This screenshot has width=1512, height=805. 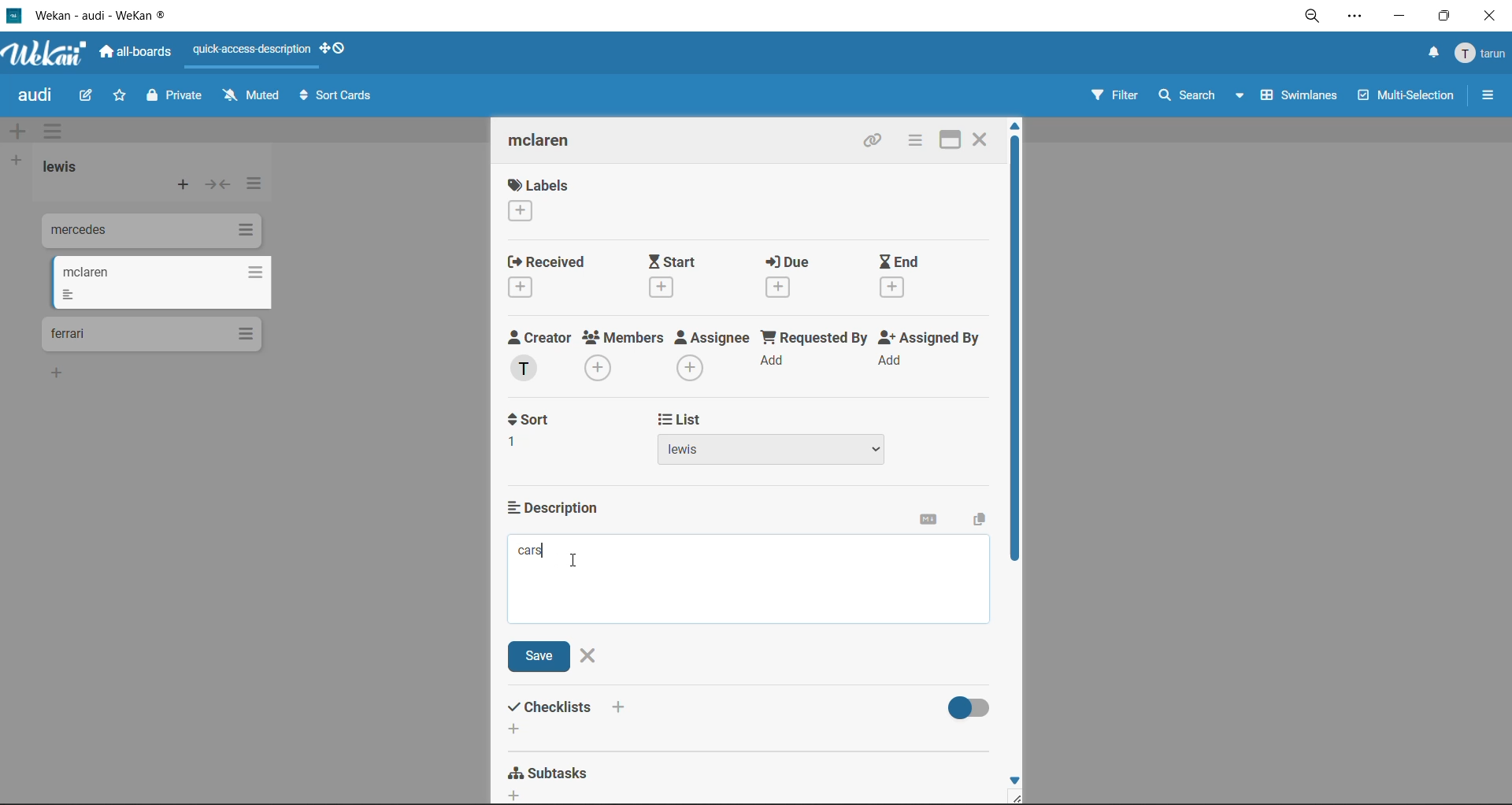 What do you see at coordinates (86, 97) in the screenshot?
I see `edit` at bounding box center [86, 97].